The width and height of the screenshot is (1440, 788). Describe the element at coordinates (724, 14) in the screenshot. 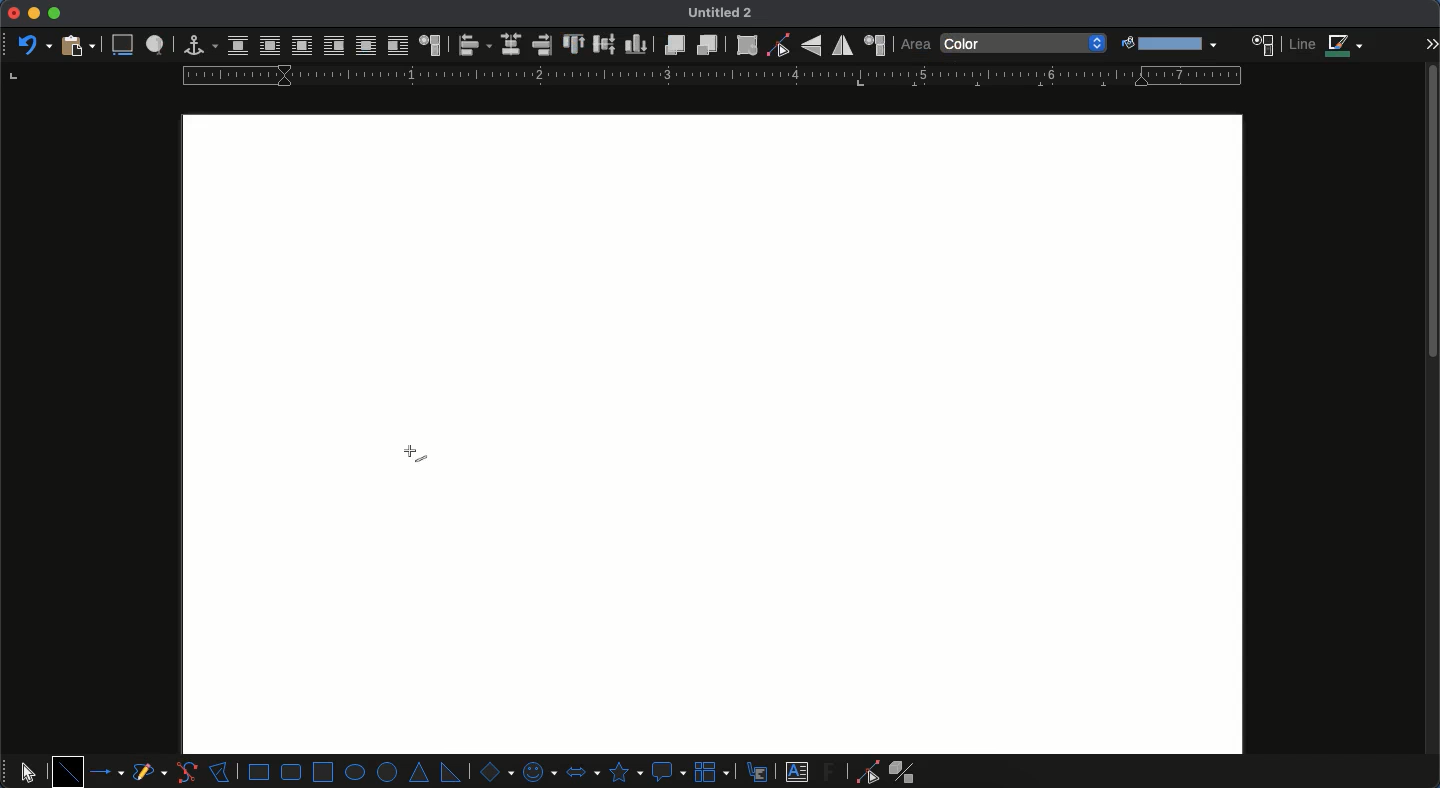

I see `Untitled 2 - name` at that location.